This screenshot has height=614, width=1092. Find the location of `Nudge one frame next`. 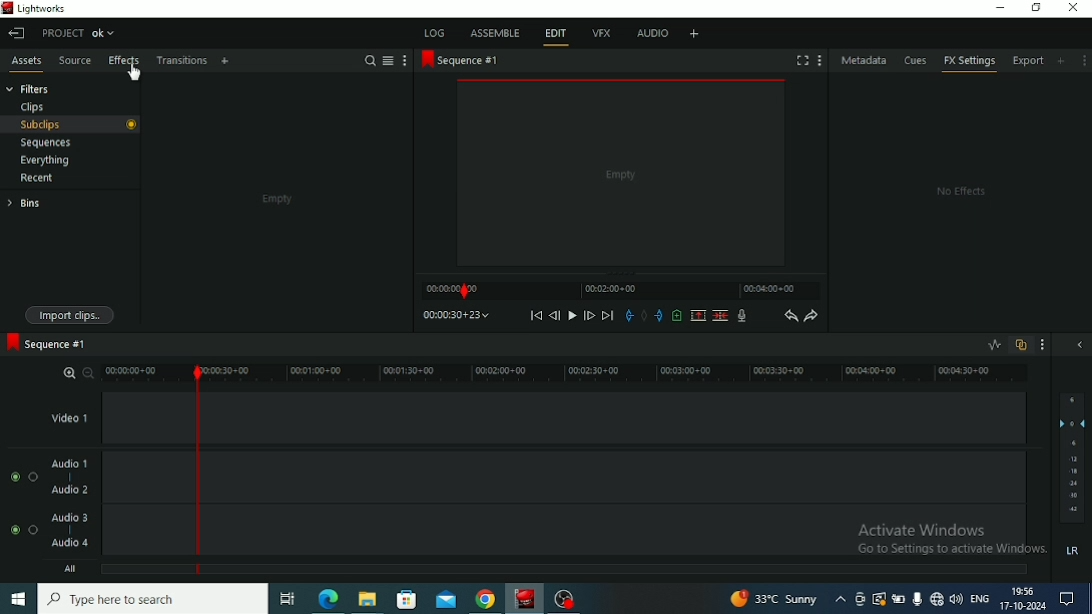

Nudge one frame next is located at coordinates (589, 315).